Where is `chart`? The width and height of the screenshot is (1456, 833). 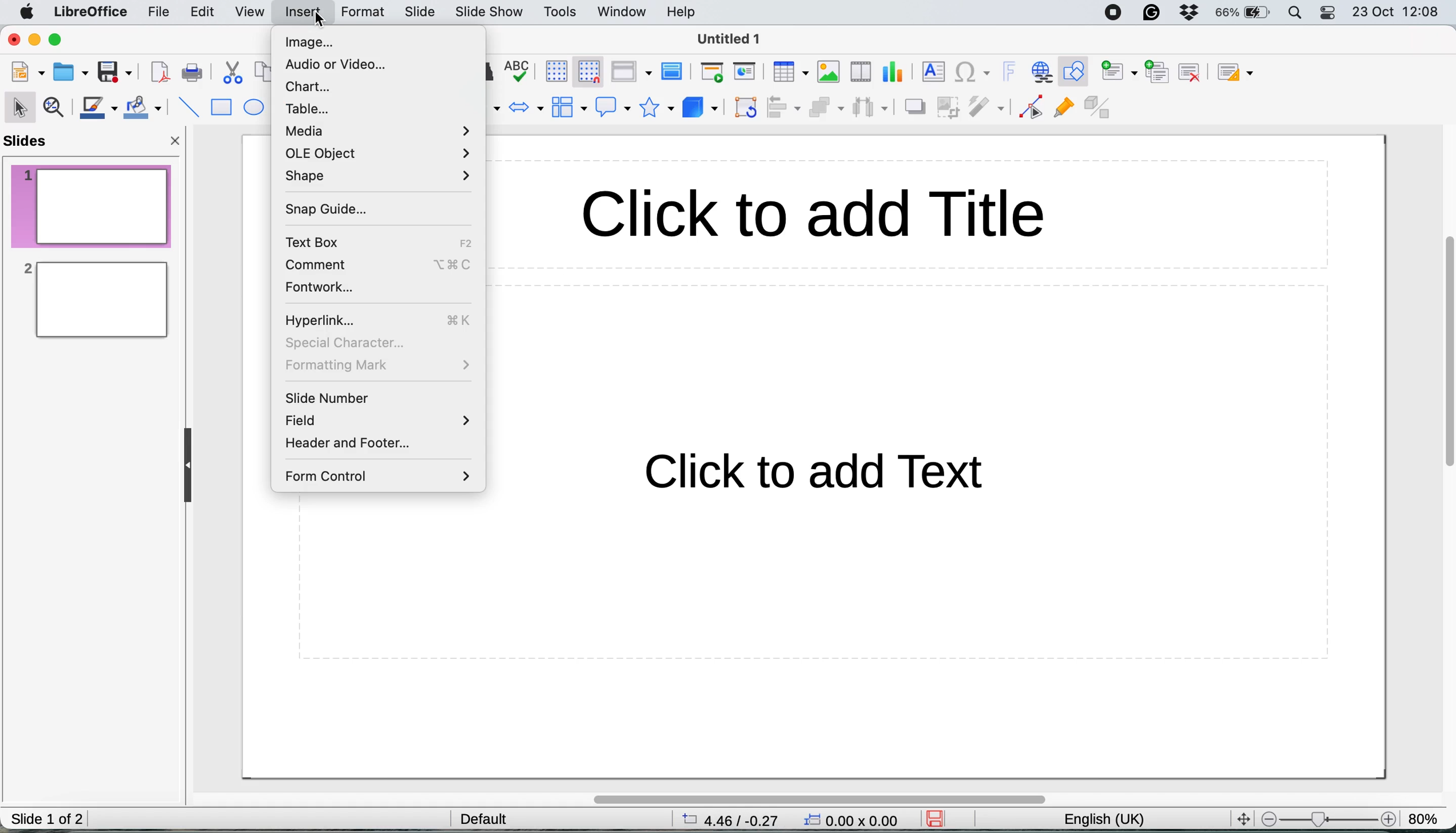
chart is located at coordinates (310, 86).